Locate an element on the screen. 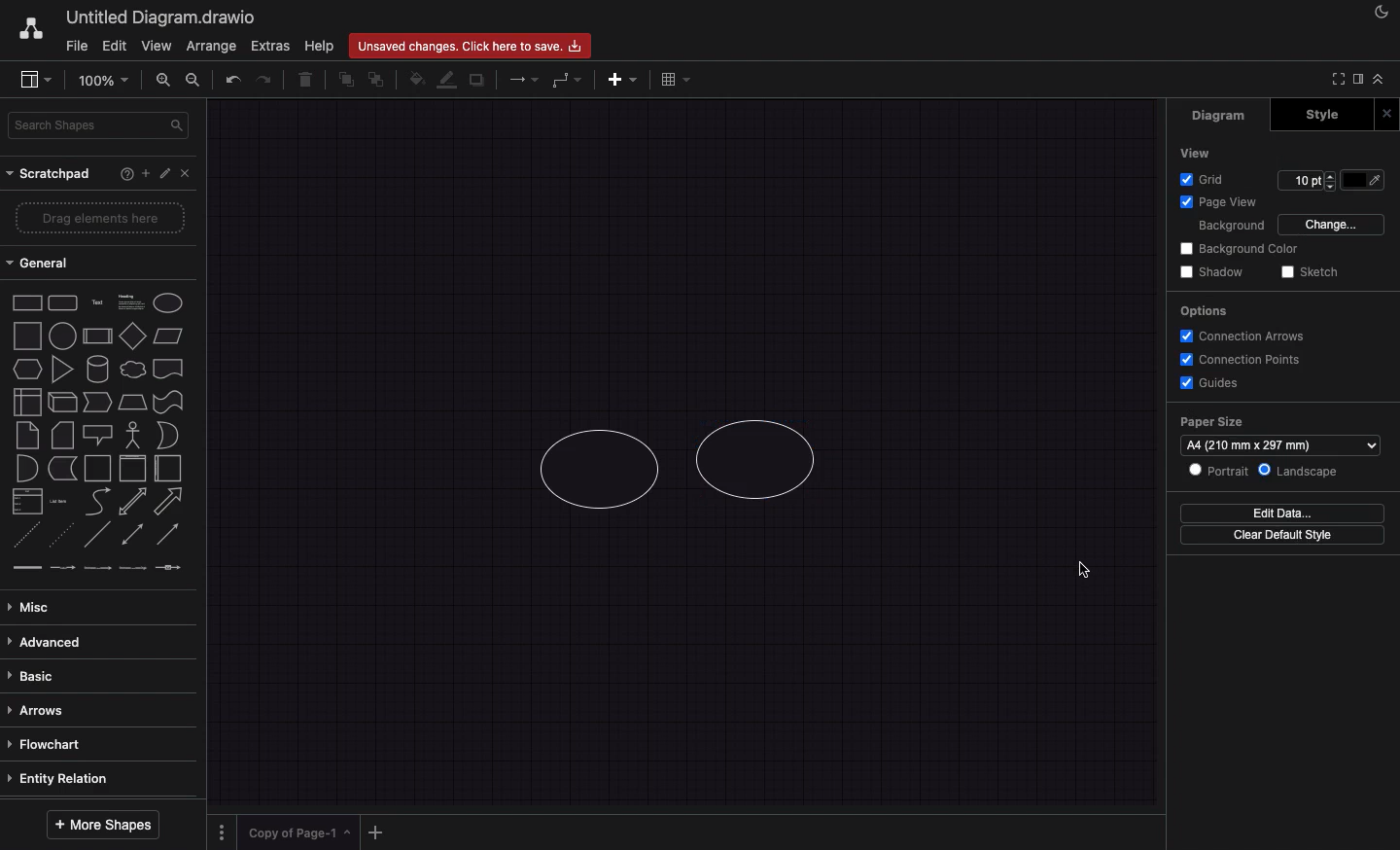 The width and height of the screenshot is (1400, 850). square is located at coordinates (30, 336).